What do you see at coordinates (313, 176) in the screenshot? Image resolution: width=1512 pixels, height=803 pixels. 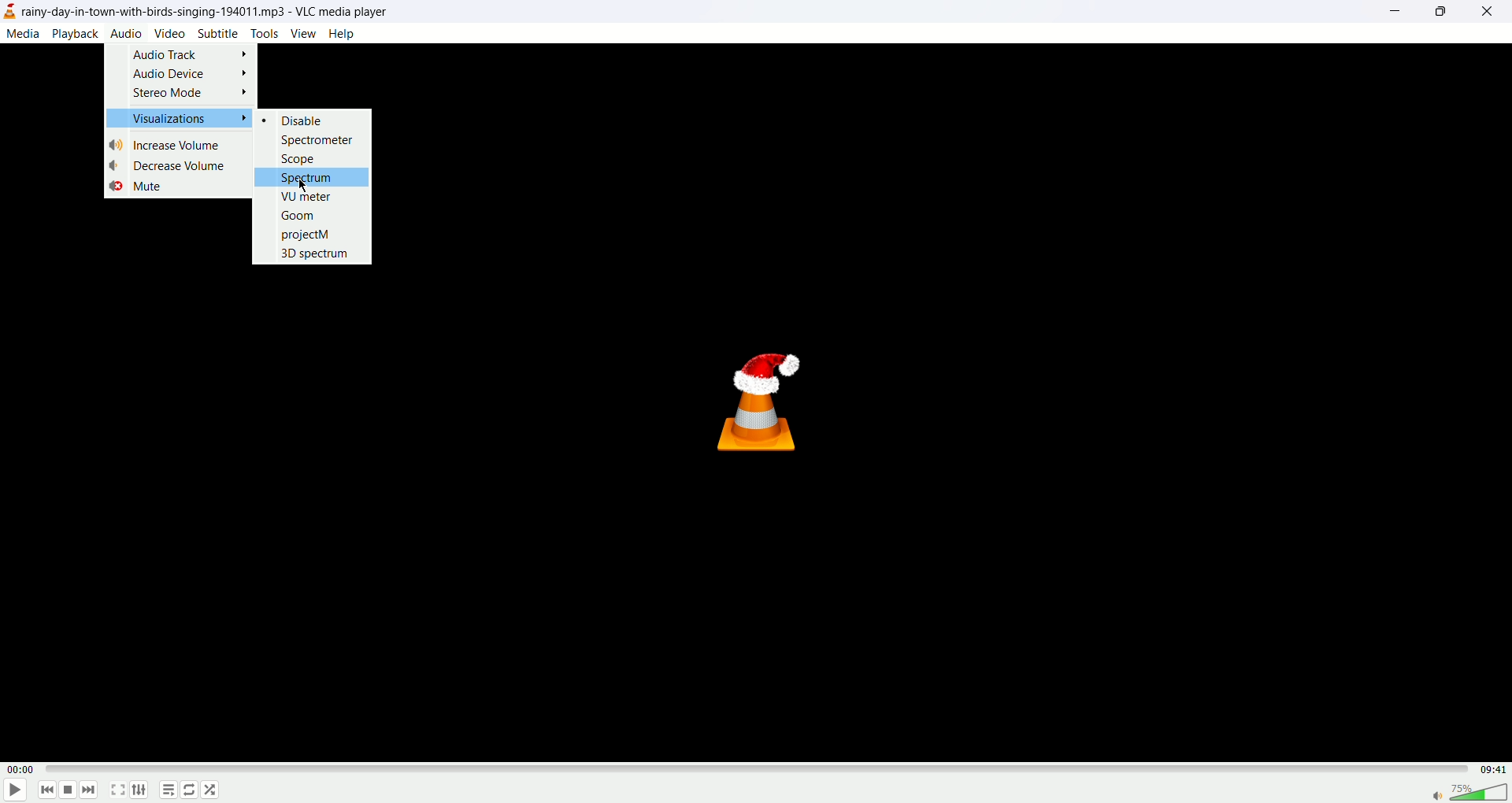 I see `spectrum` at bounding box center [313, 176].